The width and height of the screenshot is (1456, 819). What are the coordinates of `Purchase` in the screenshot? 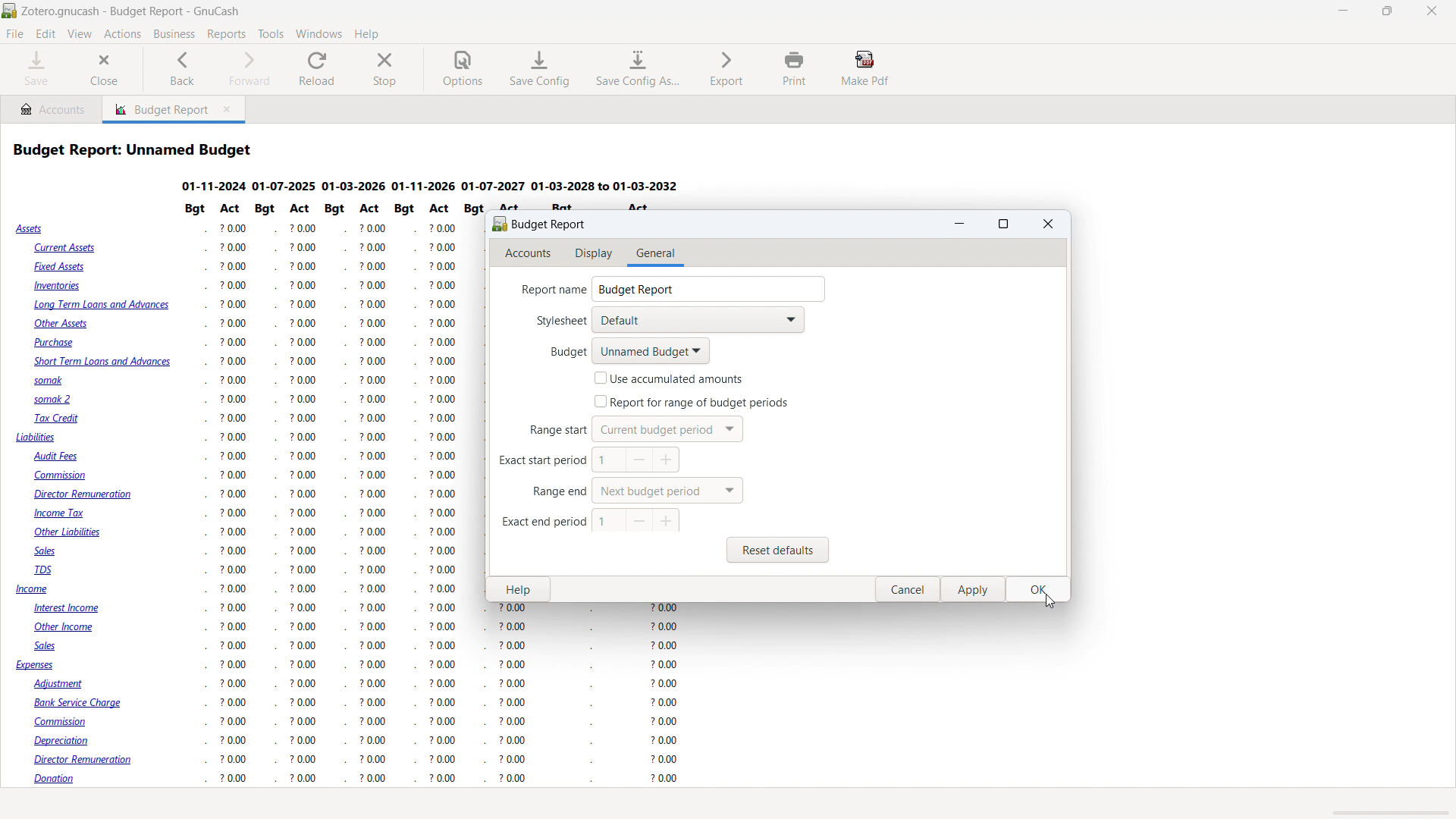 It's located at (58, 342).